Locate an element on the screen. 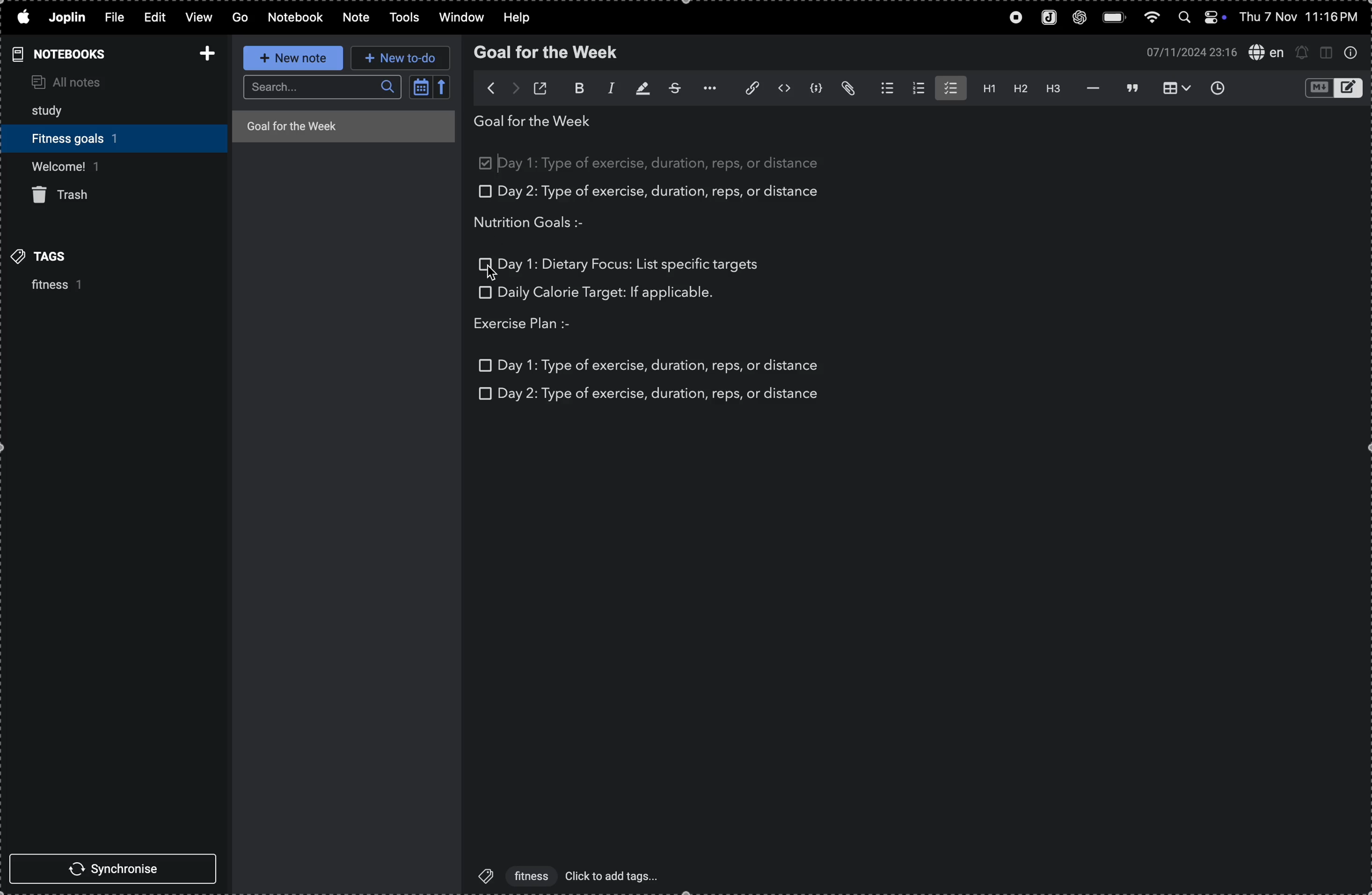 This screenshot has height=895, width=1372. record is located at coordinates (1009, 18).